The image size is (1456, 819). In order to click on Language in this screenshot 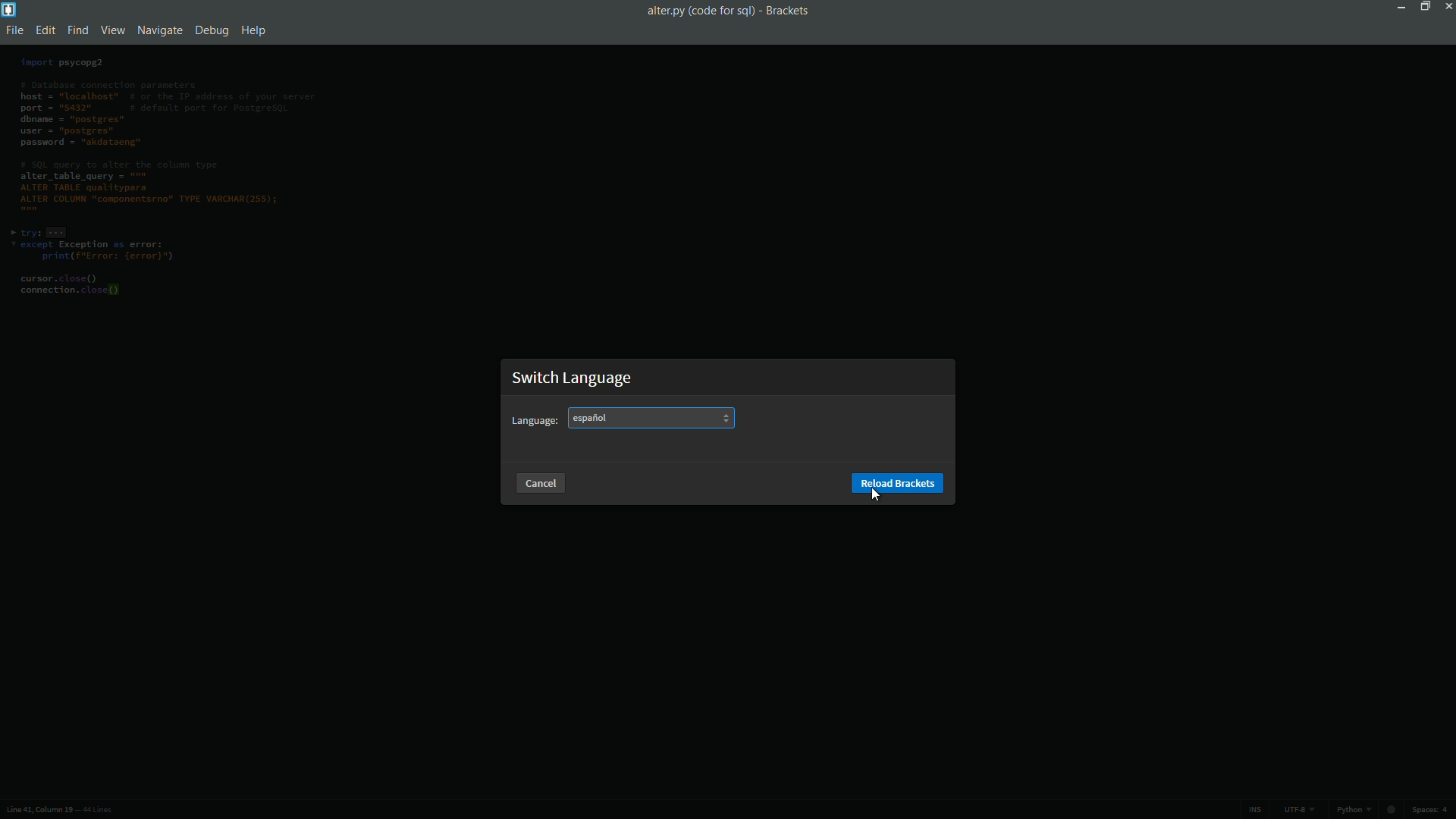, I will do `click(536, 420)`.